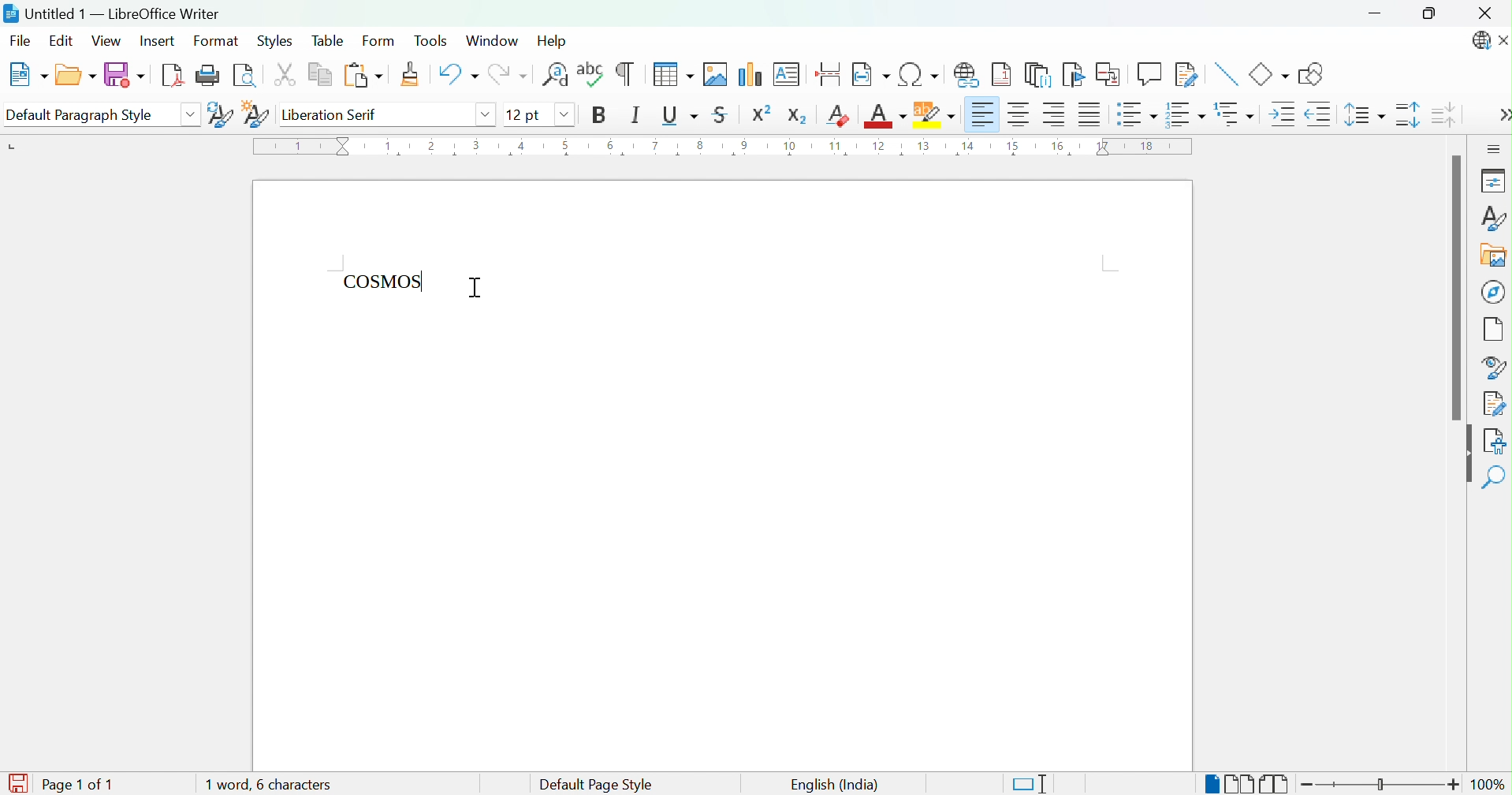 This screenshot has width=1512, height=795. Describe the element at coordinates (827, 70) in the screenshot. I see `Insert Page Break` at that location.